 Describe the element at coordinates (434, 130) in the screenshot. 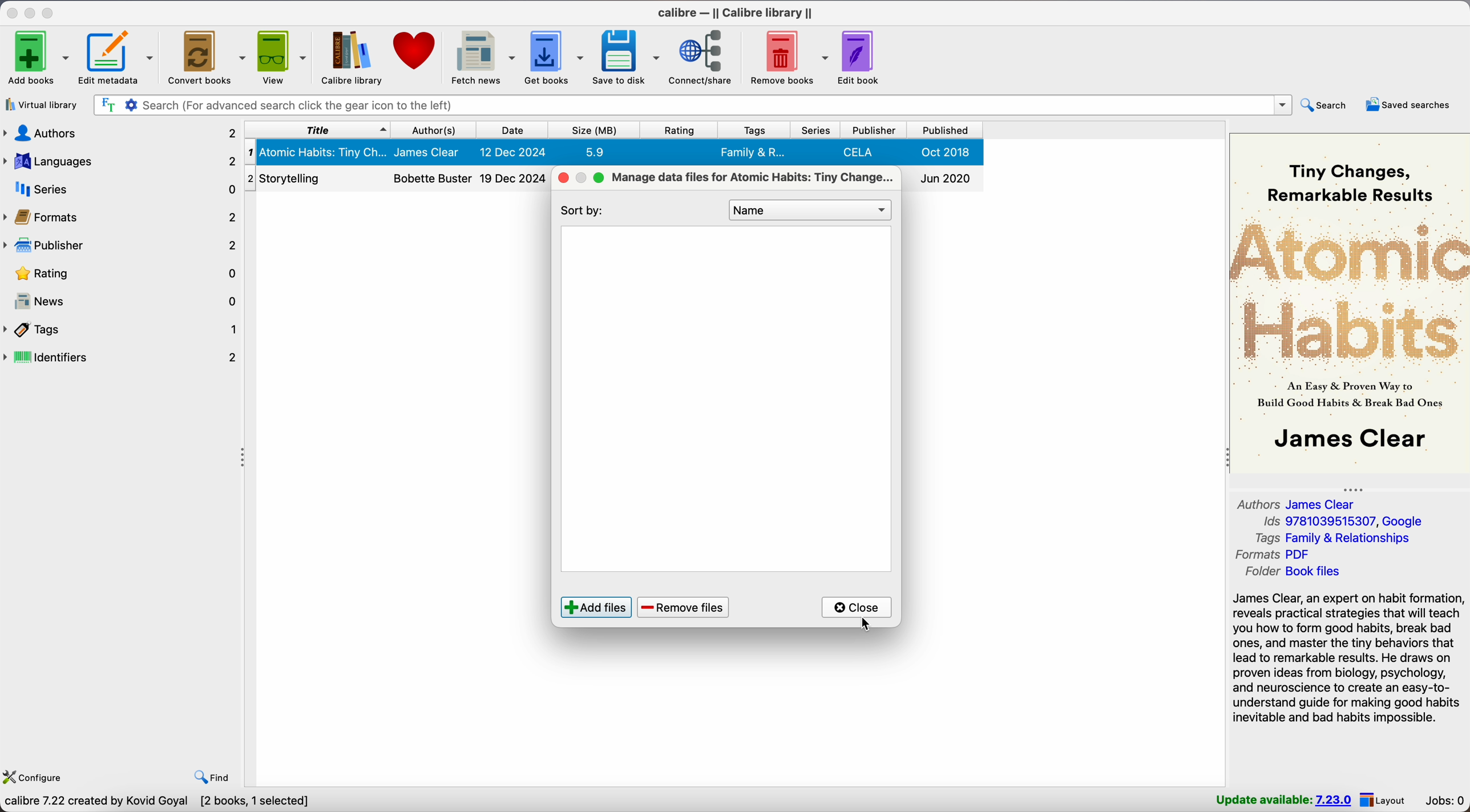

I see `author(s)` at that location.